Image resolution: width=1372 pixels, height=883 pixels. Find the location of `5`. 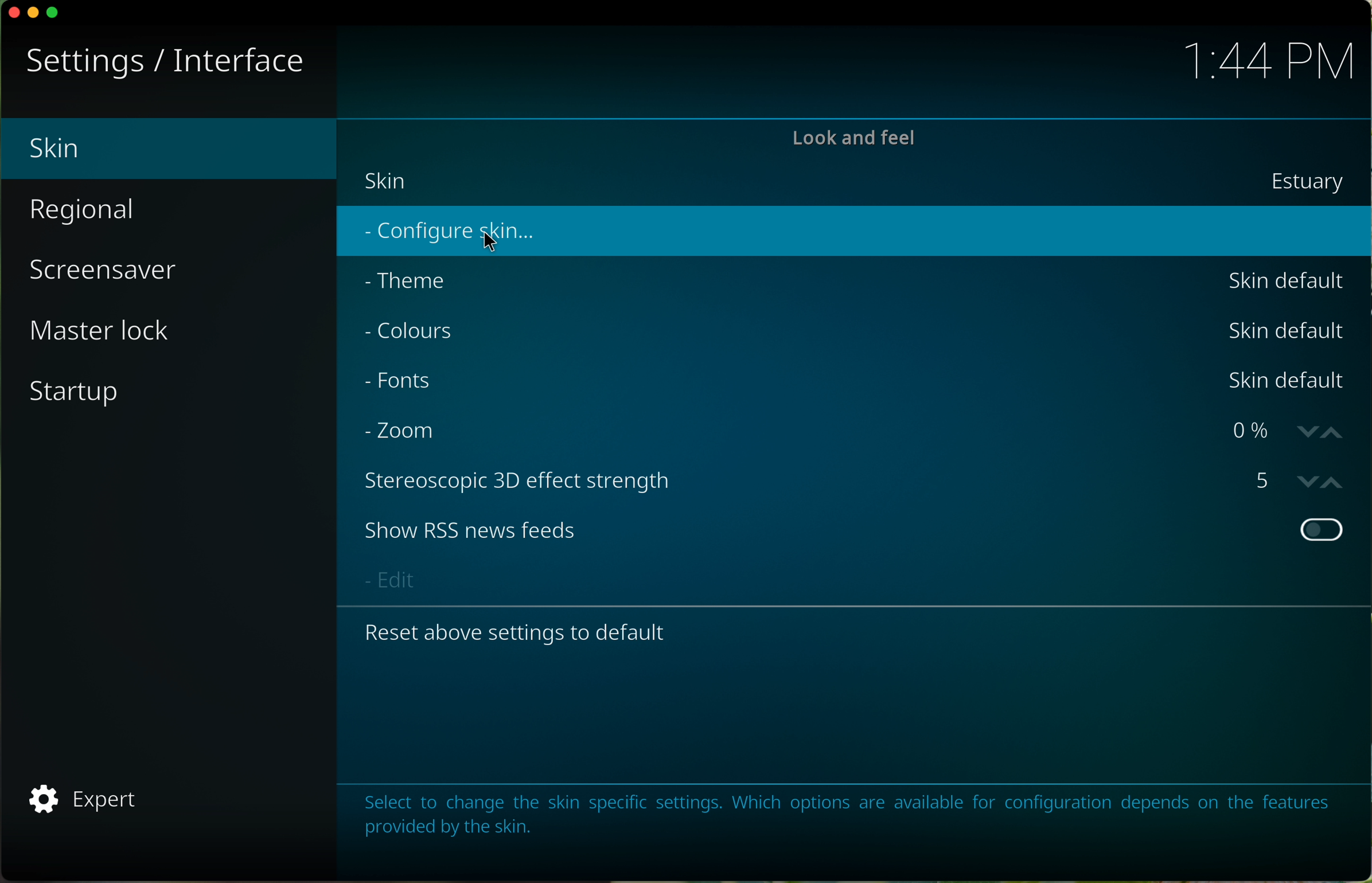

5 is located at coordinates (1264, 482).